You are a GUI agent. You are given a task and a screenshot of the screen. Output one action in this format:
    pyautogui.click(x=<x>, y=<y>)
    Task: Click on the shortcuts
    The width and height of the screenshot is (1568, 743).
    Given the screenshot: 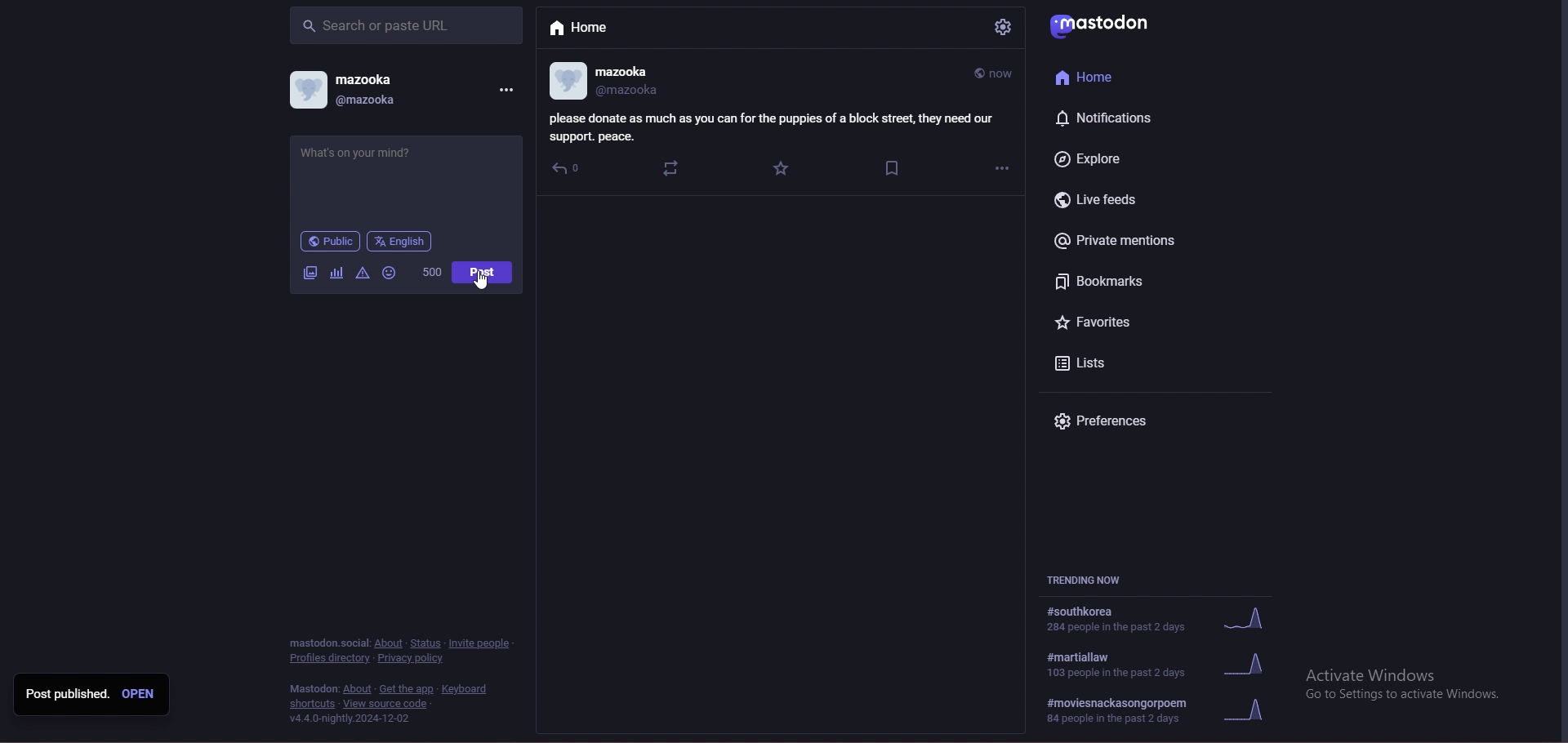 What is the action you would take?
    pyautogui.click(x=312, y=704)
    